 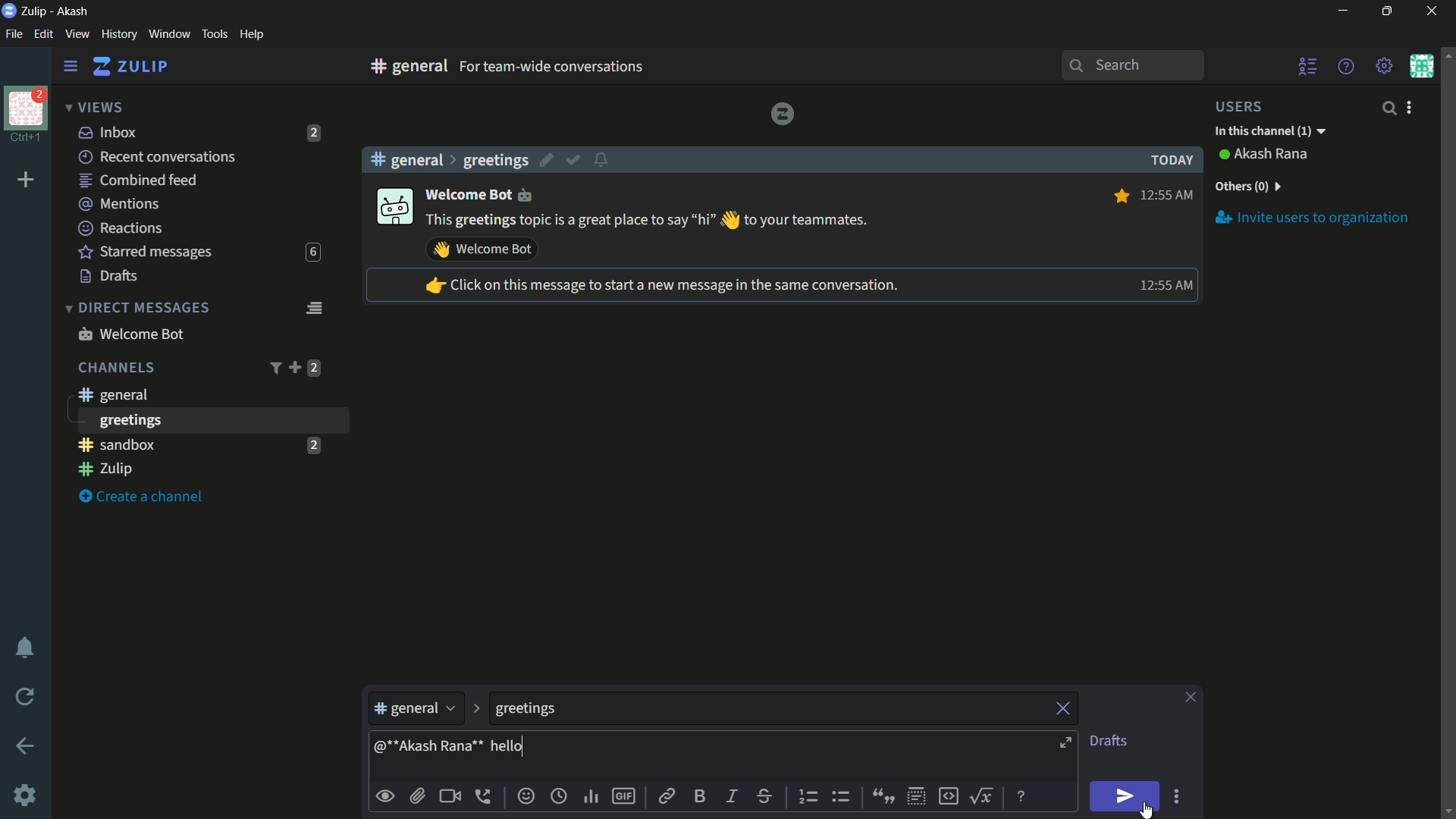 I want to click on add voice call, so click(x=486, y=796).